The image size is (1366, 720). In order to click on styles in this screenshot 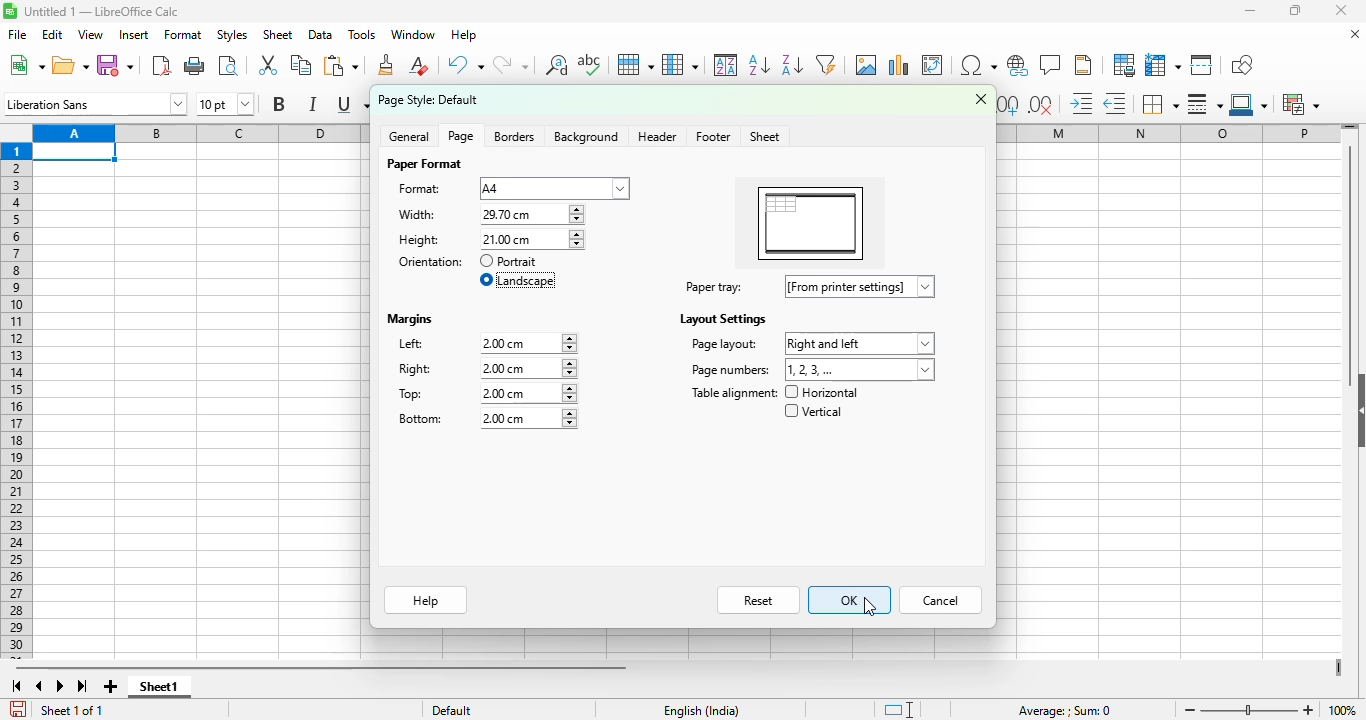, I will do `click(233, 35)`.